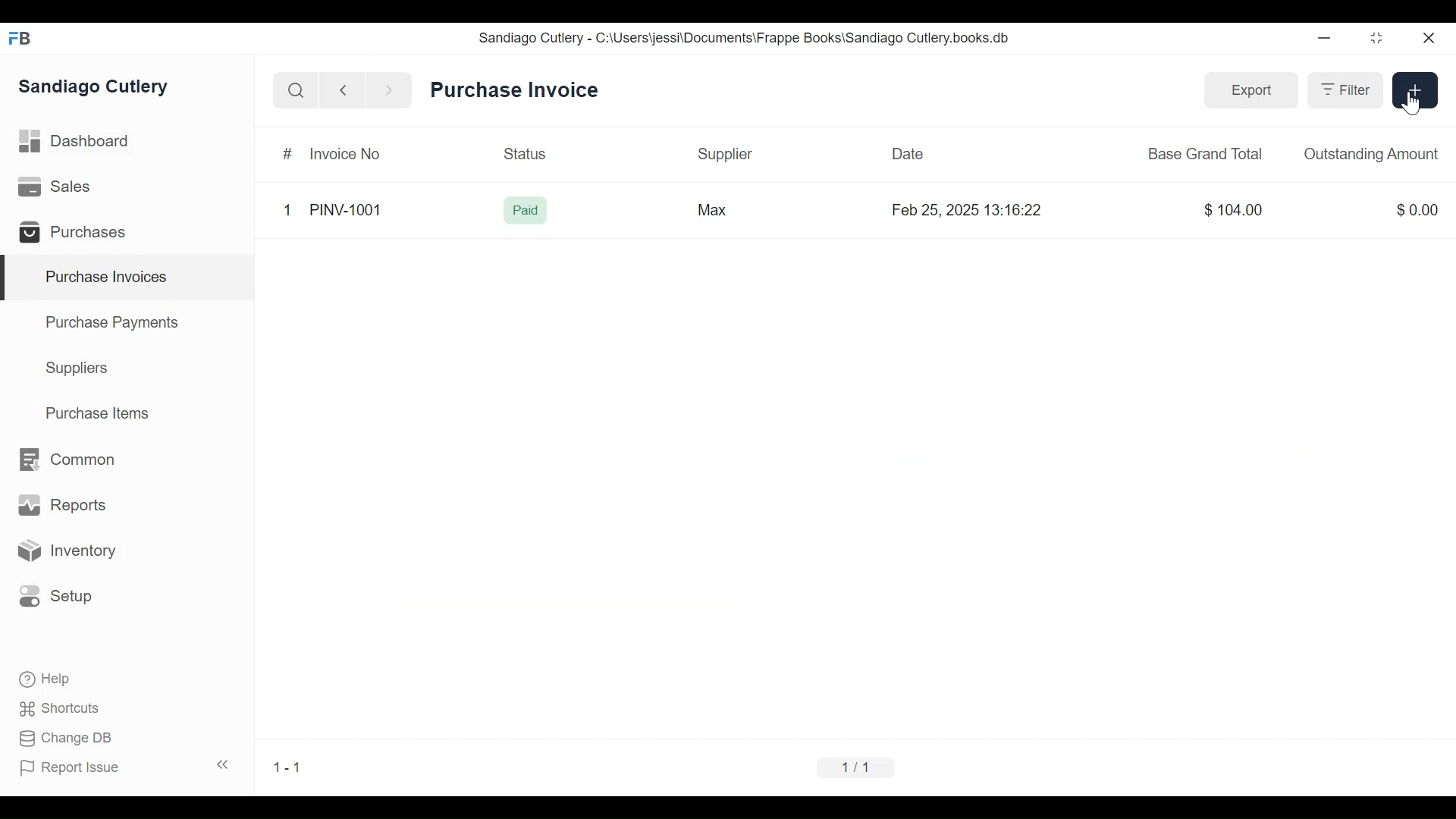 This screenshot has height=819, width=1456. I want to click on Date, so click(908, 153).